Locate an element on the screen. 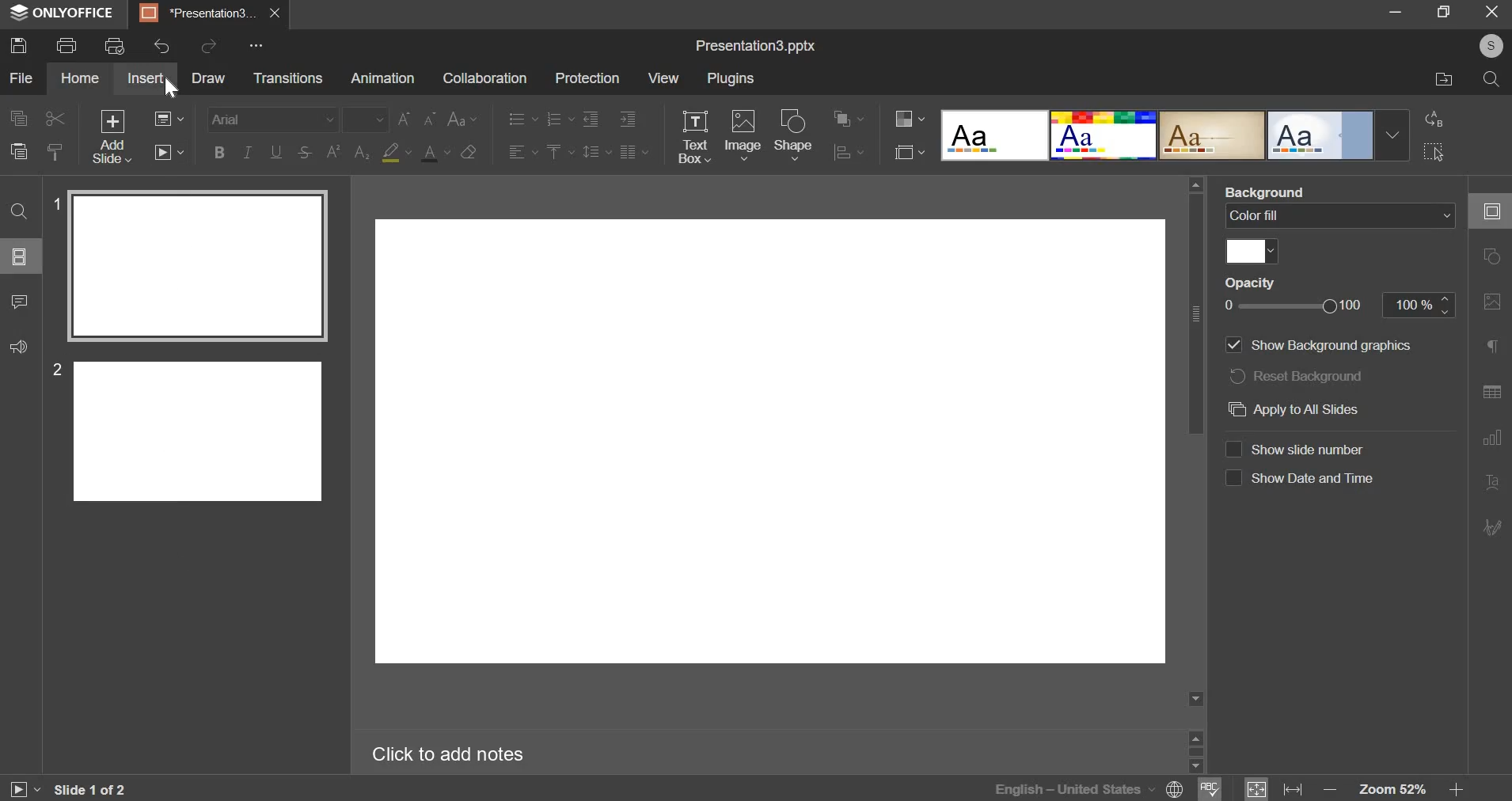  change slide layout is located at coordinates (169, 118).